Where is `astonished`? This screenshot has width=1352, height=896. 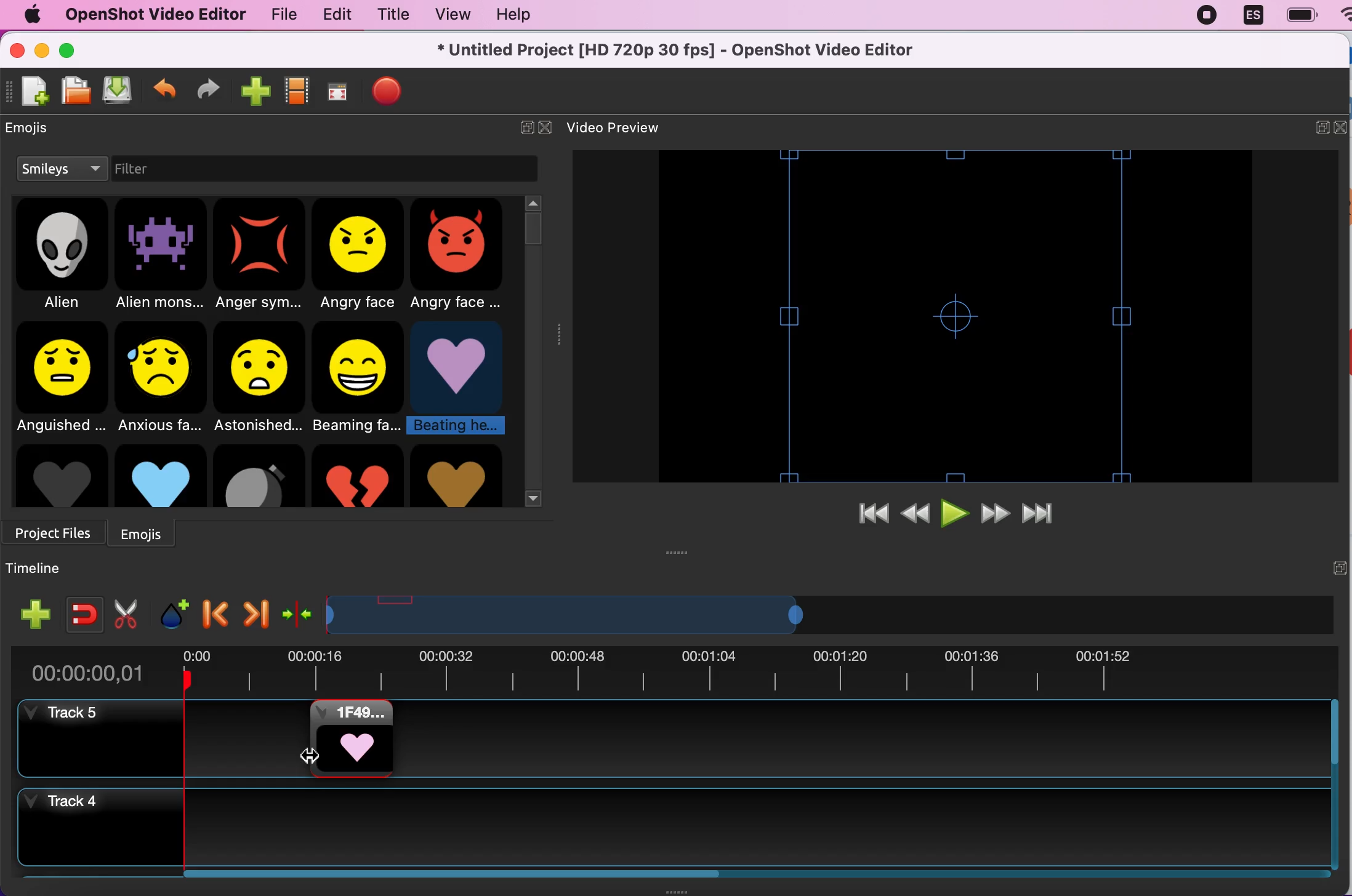
astonished is located at coordinates (260, 375).